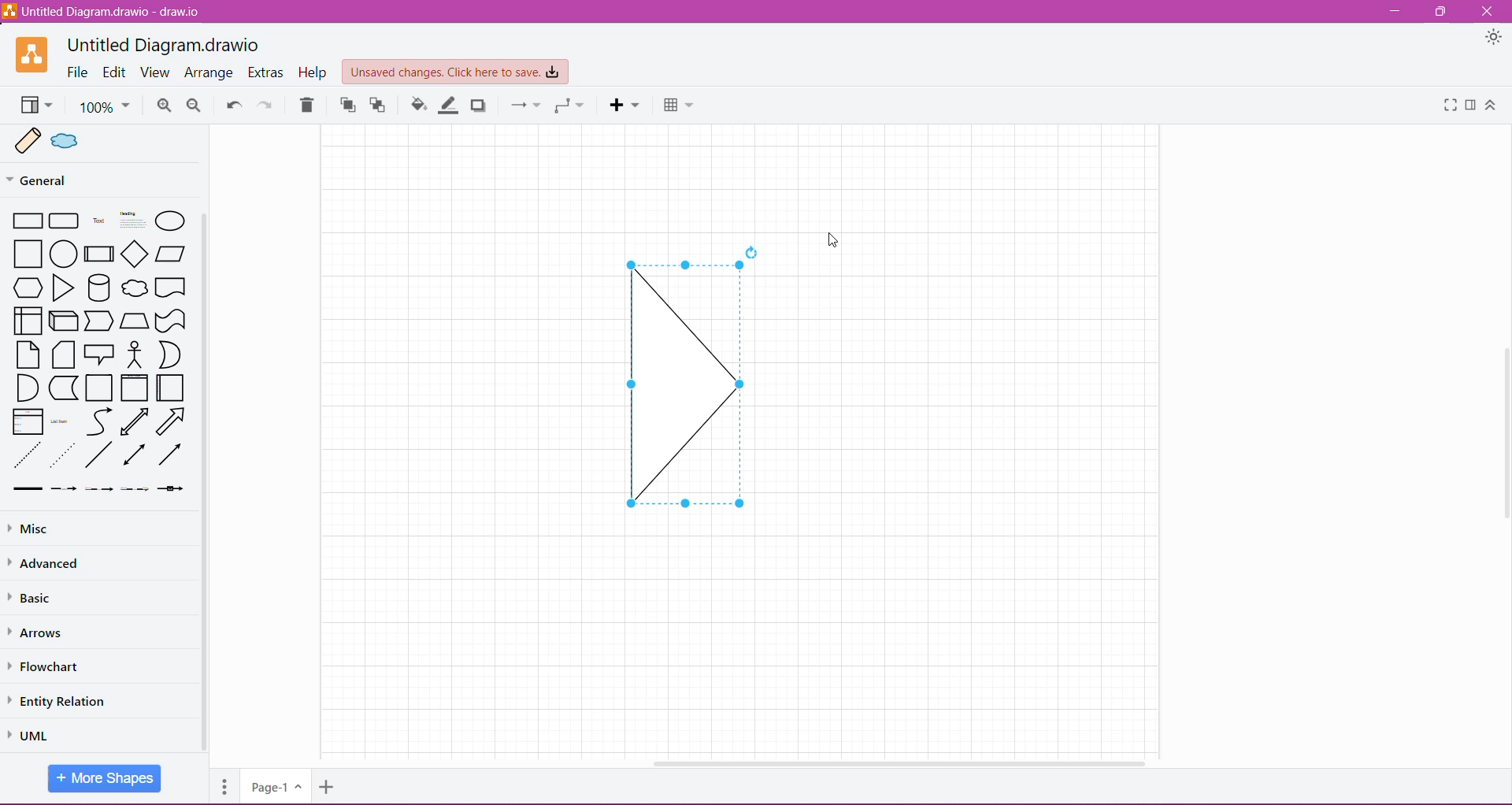 The height and width of the screenshot is (805, 1512). What do you see at coordinates (233, 106) in the screenshot?
I see `Undo` at bounding box center [233, 106].